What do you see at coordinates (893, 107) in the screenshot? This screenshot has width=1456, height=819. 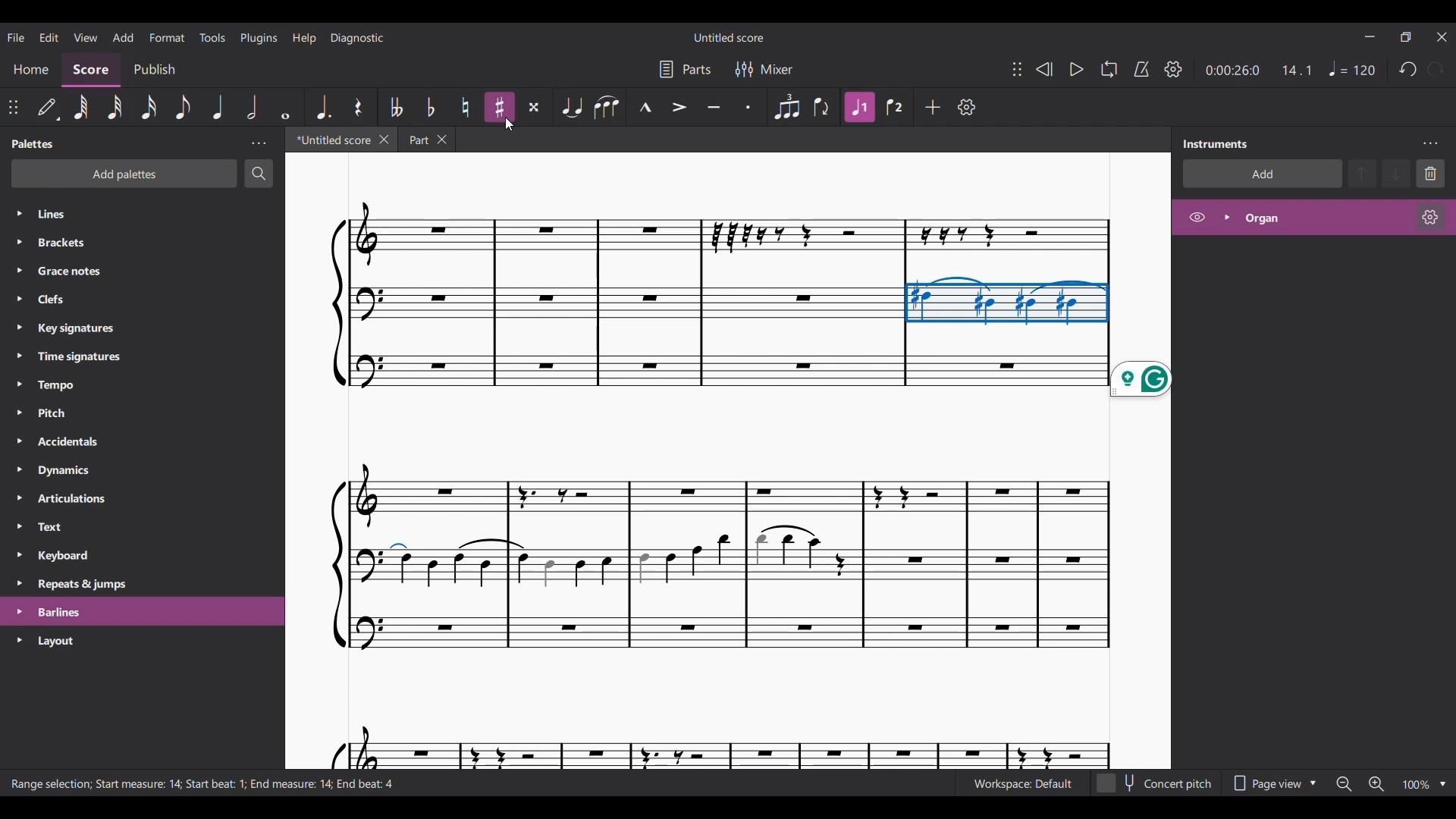 I see `Voice 2` at bounding box center [893, 107].